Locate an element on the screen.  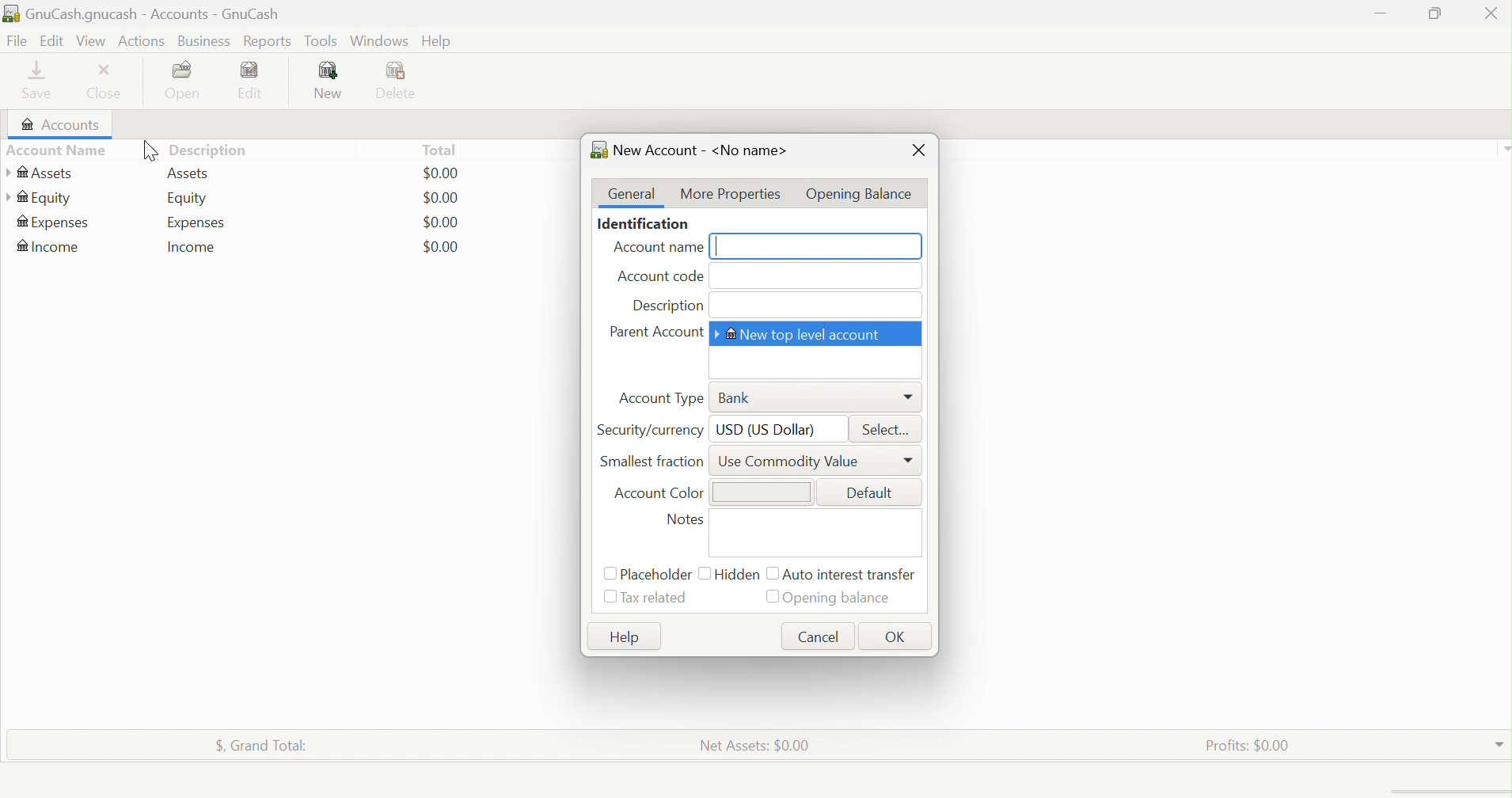
General is located at coordinates (633, 194).